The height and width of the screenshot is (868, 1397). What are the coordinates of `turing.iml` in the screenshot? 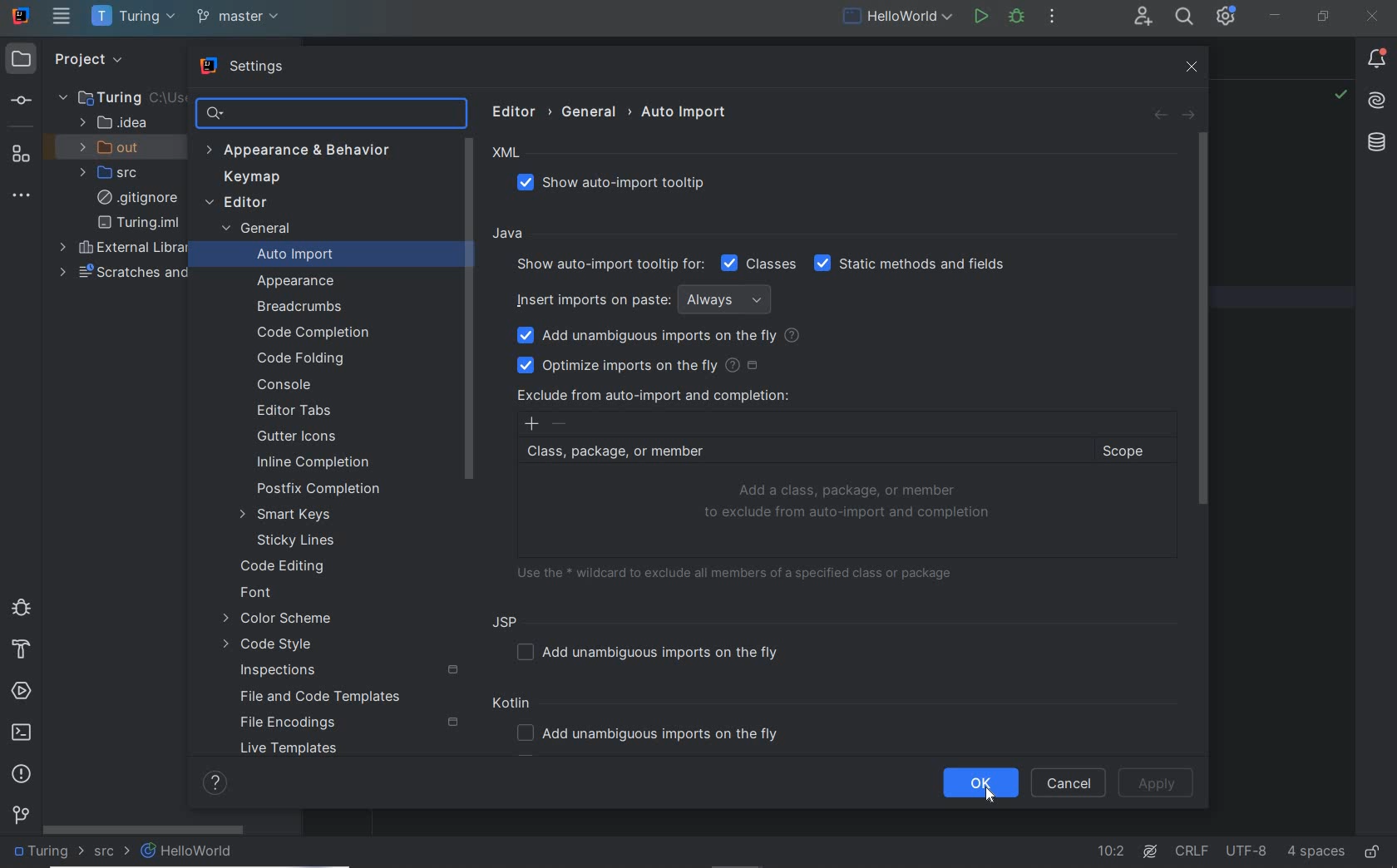 It's located at (138, 223).